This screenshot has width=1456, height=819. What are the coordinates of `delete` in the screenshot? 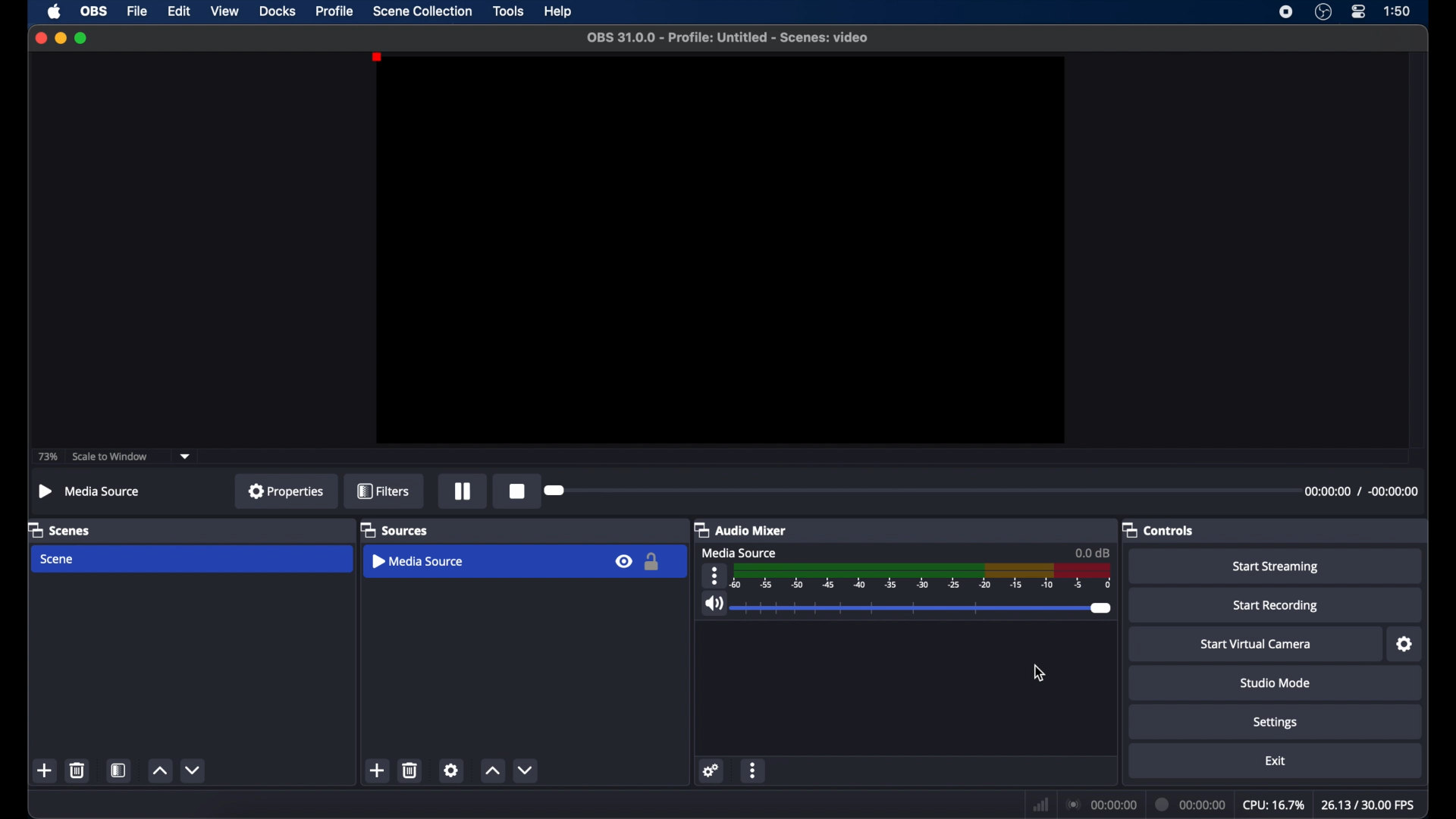 It's located at (77, 770).